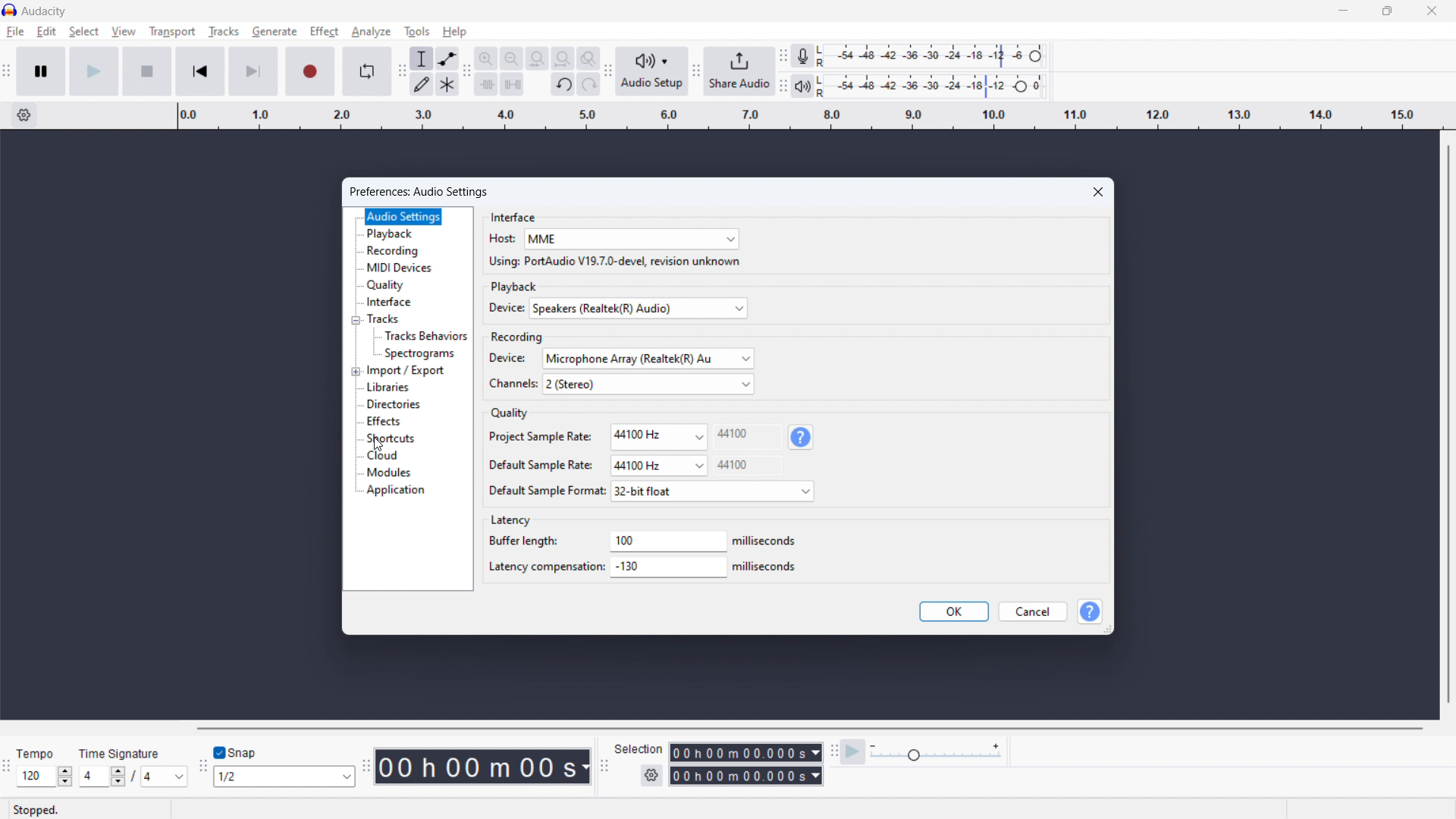 The width and height of the screenshot is (1456, 819). Describe the element at coordinates (783, 86) in the screenshot. I see `Enables movement of playback meter toolbar` at that location.